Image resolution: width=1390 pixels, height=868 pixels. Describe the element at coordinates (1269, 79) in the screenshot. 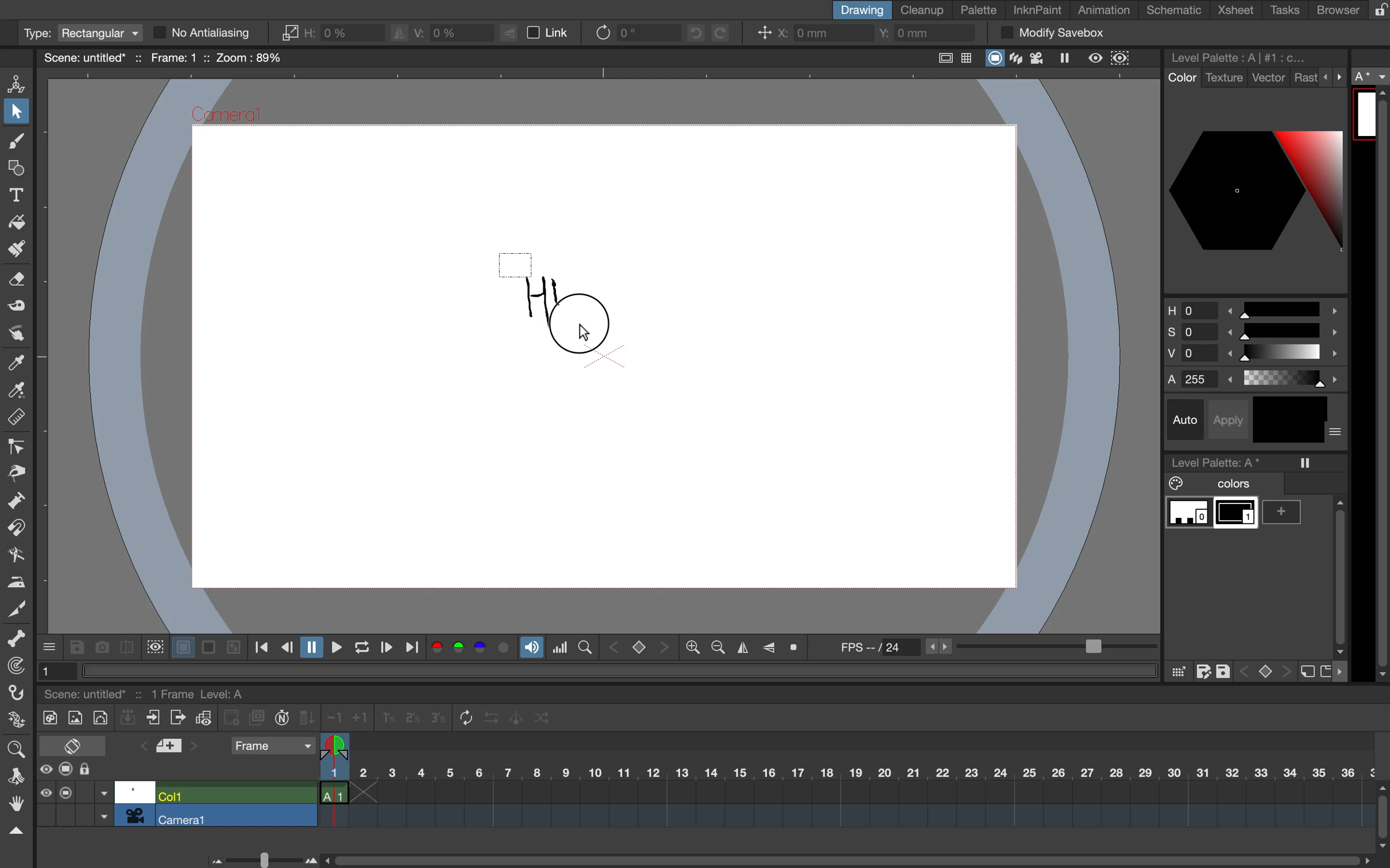

I see `vector` at that location.